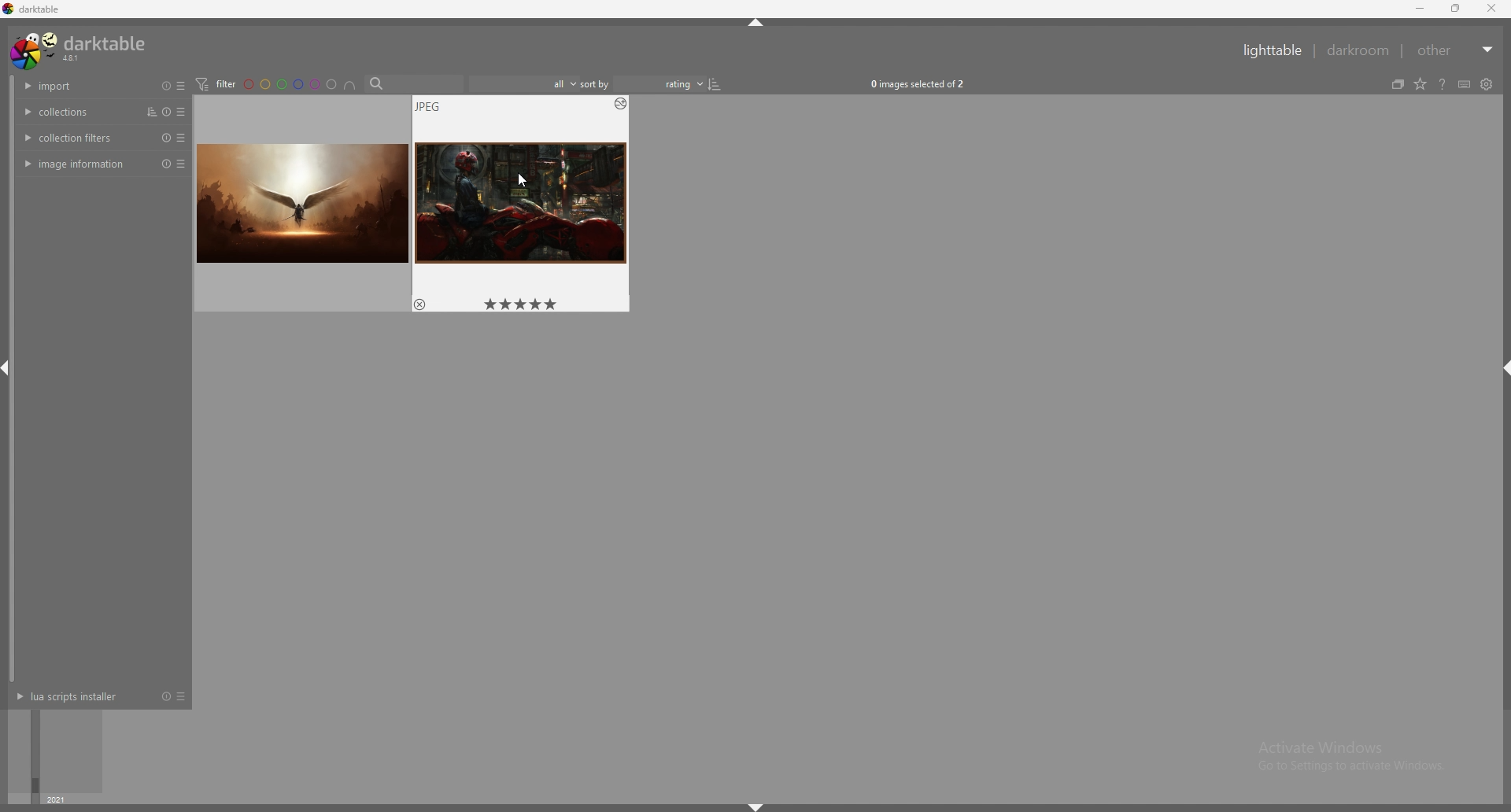  Describe the element at coordinates (74, 112) in the screenshot. I see `collections` at that location.